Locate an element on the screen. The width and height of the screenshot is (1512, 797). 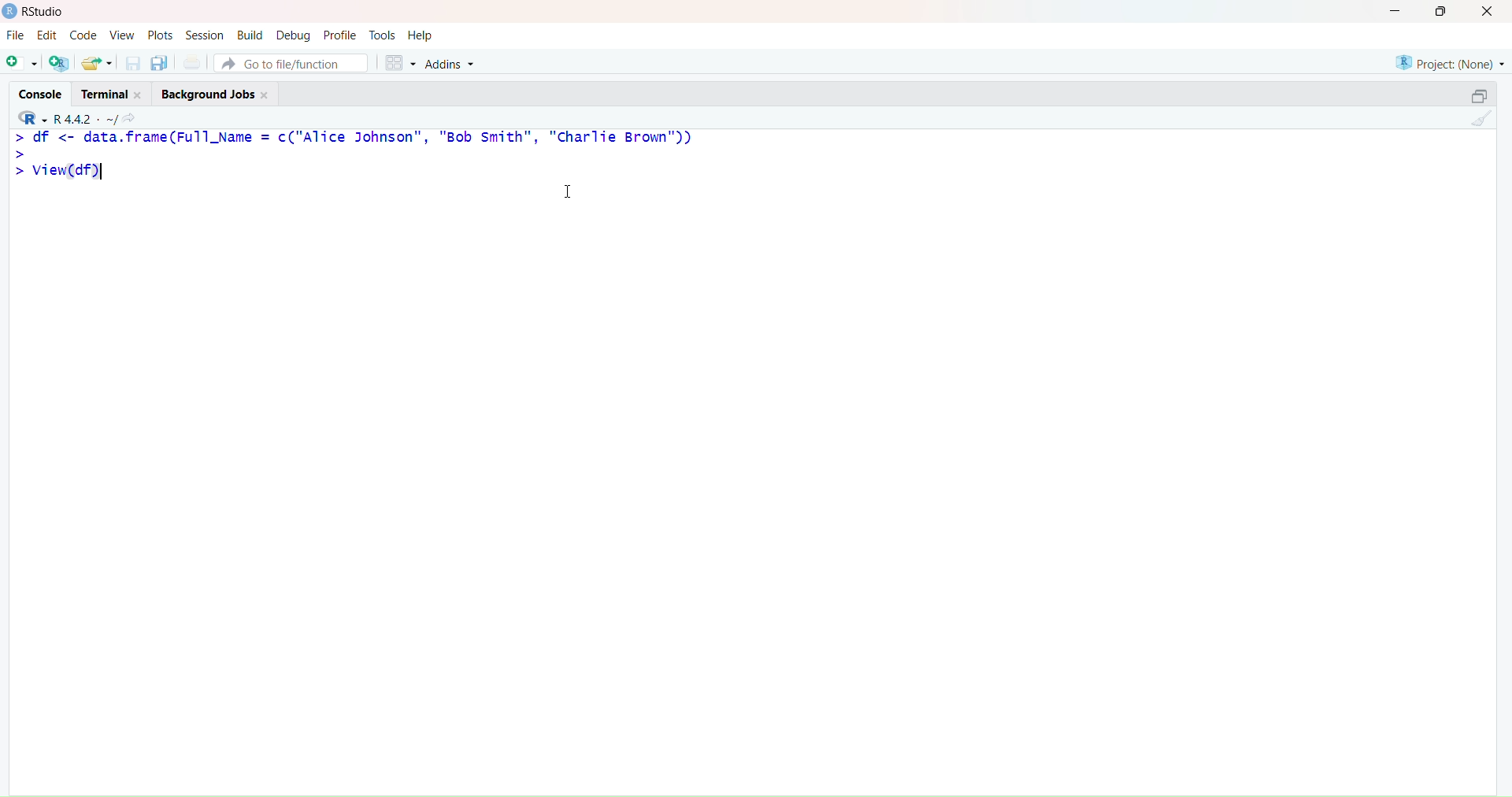
Profile is located at coordinates (340, 35).